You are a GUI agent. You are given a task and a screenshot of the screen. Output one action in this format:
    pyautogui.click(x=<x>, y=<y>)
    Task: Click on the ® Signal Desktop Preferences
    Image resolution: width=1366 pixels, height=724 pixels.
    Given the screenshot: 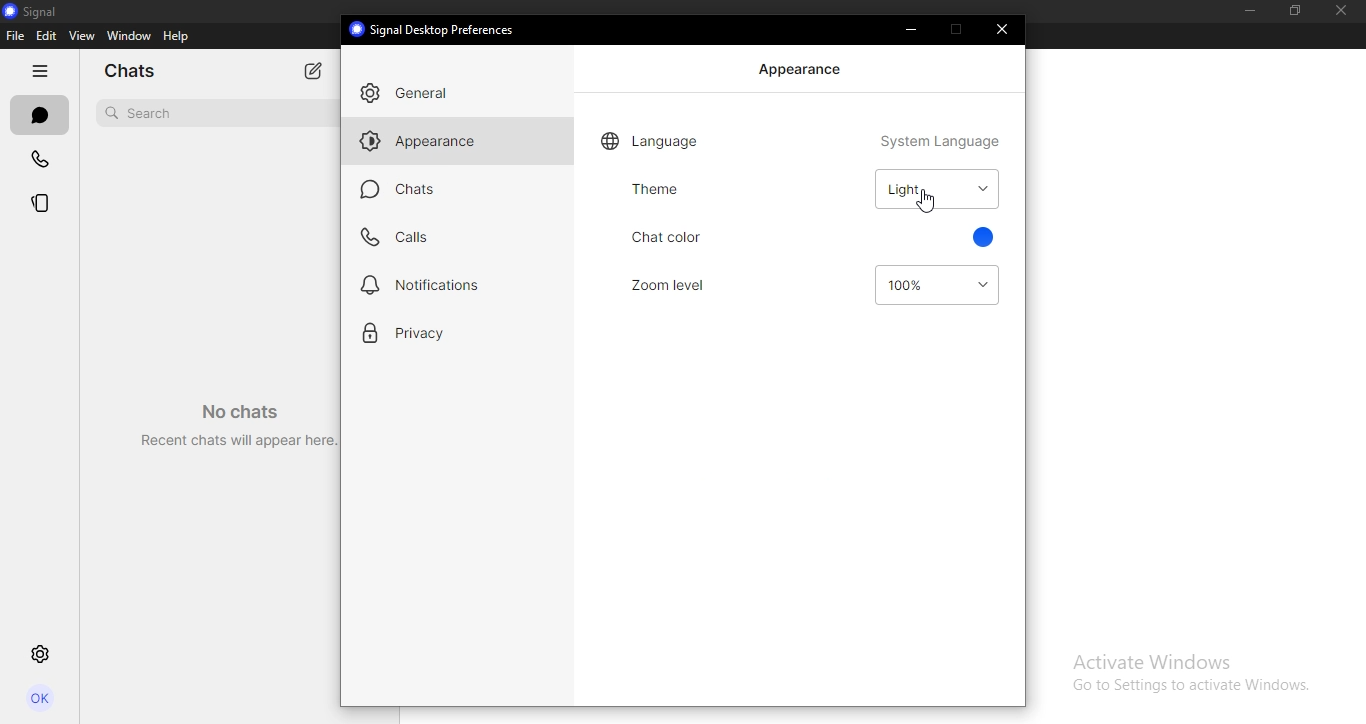 What is the action you would take?
    pyautogui.click(x=435, y=29)
    